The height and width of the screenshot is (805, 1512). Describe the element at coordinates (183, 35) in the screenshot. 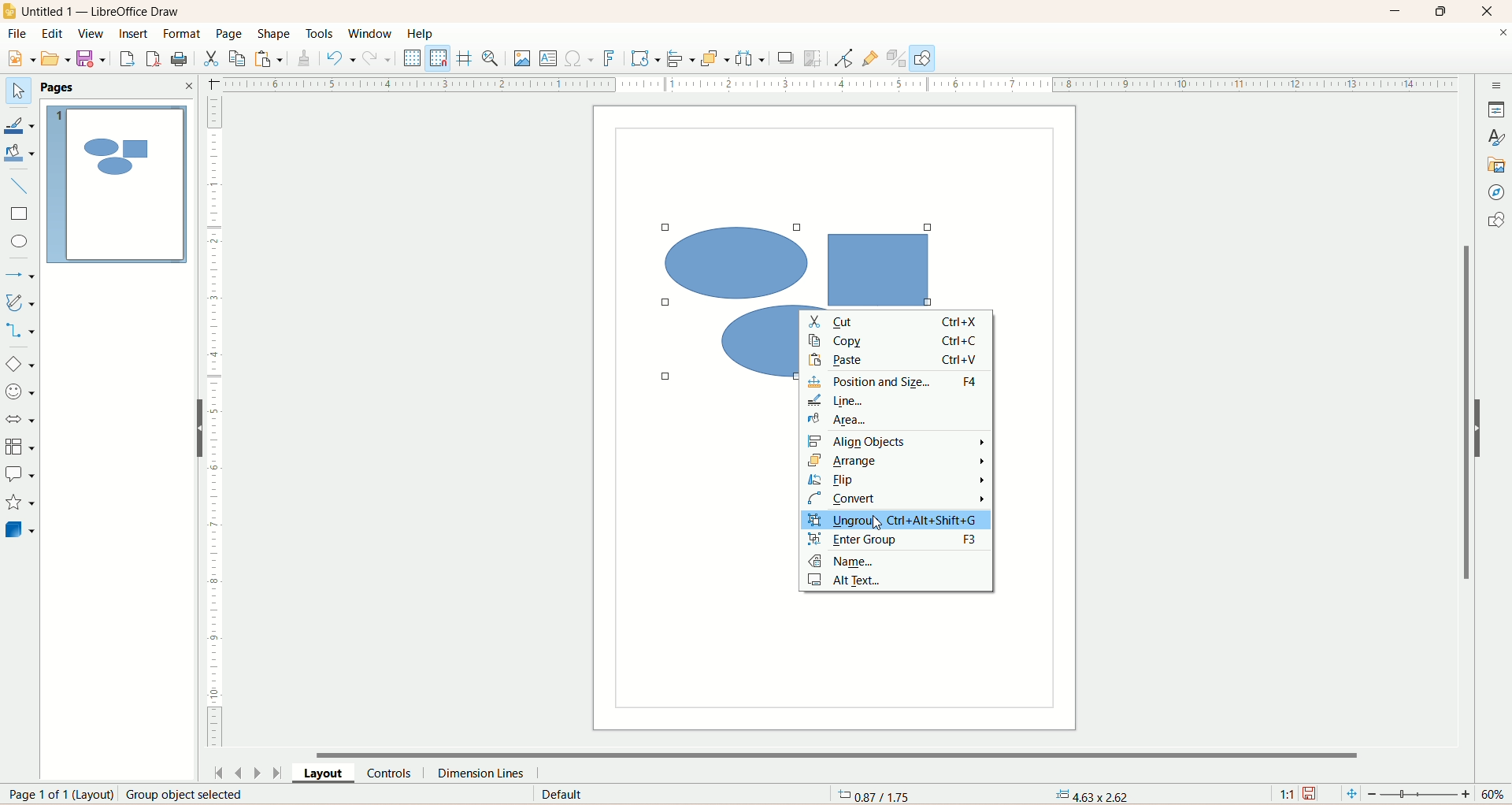

I see `format` at that location.